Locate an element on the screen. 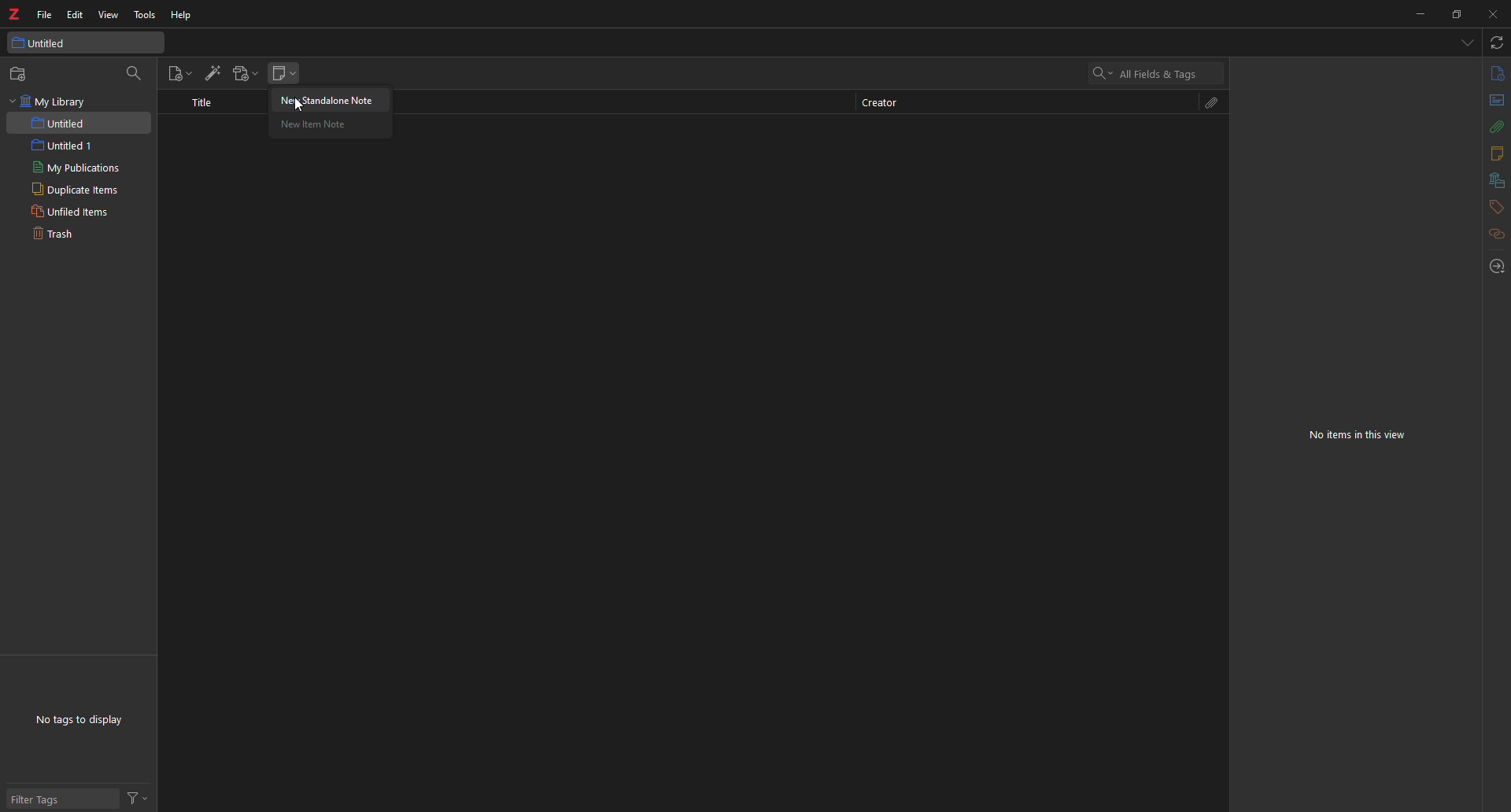 This screenshot has height=812, width=1511. locate is located at coordinates (1490, 267).